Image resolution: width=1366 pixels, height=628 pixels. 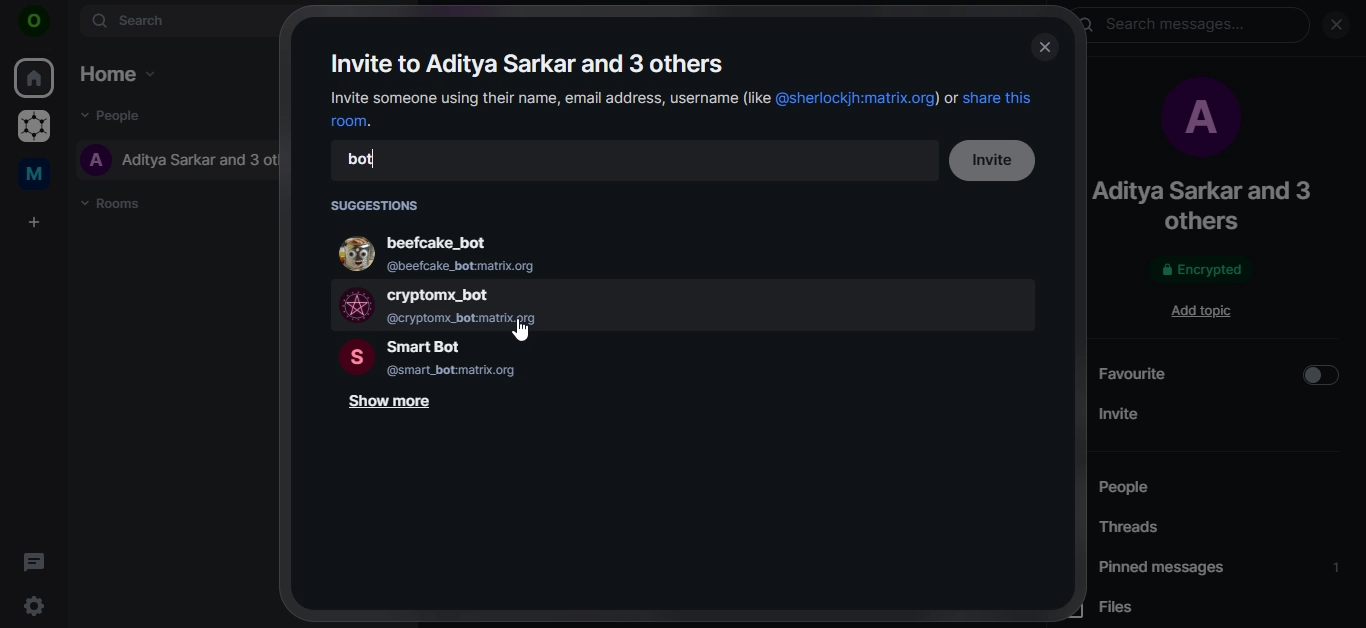 I want to click on create a space, so click(x=32, y=223).